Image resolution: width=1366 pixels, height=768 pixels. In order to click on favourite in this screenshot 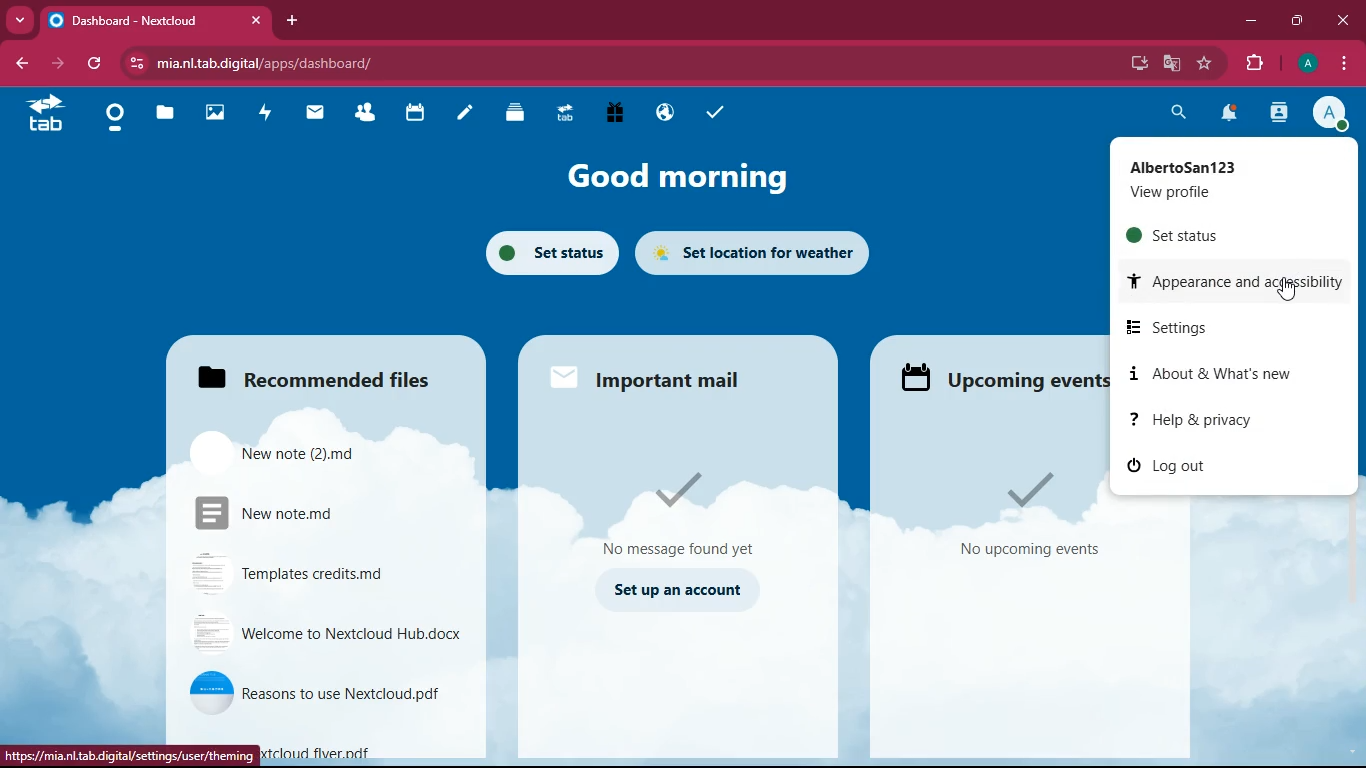, I will do `click(1209, 63)`.